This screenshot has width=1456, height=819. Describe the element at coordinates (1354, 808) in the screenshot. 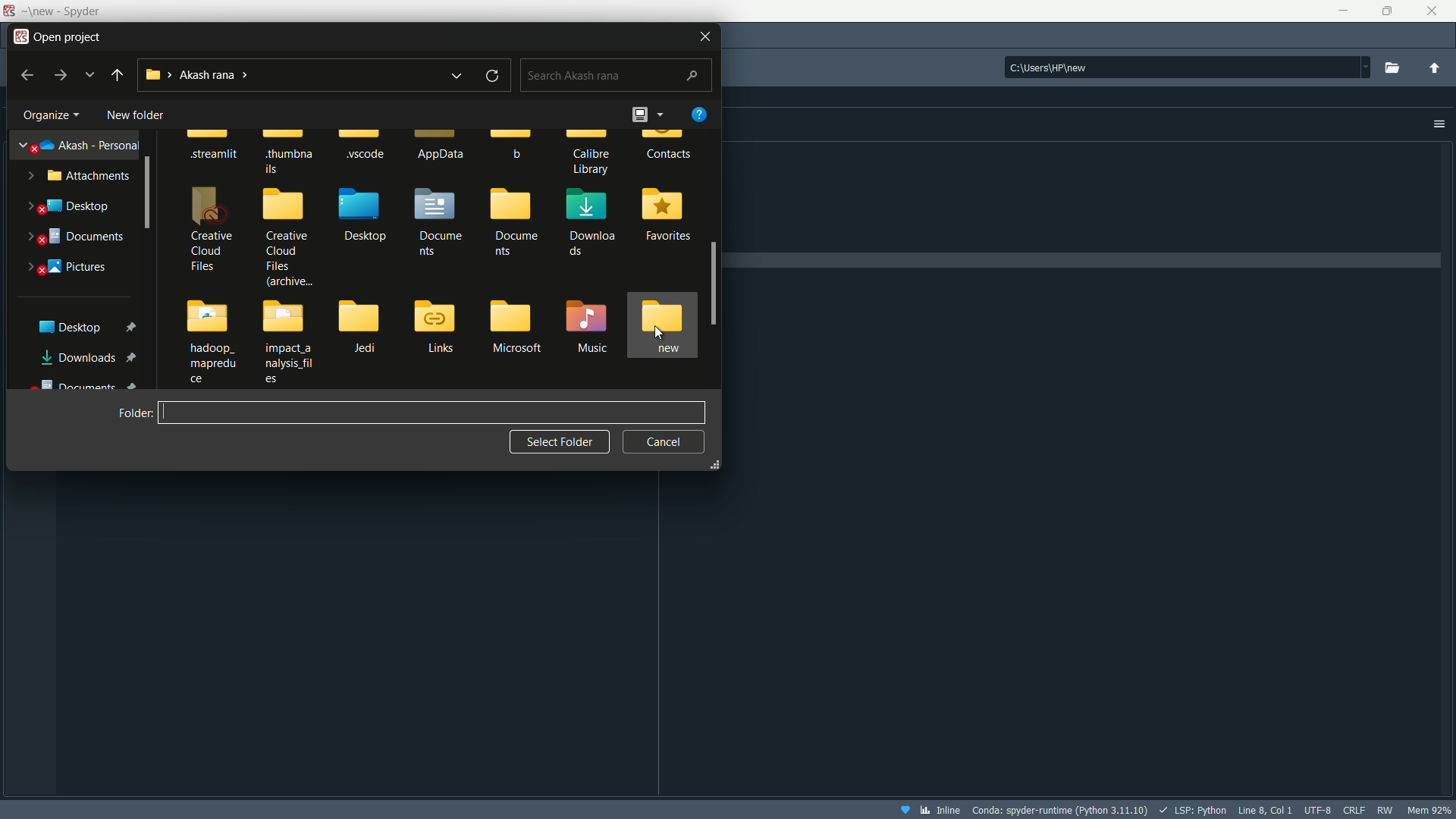

I see `file eol status` at that location.